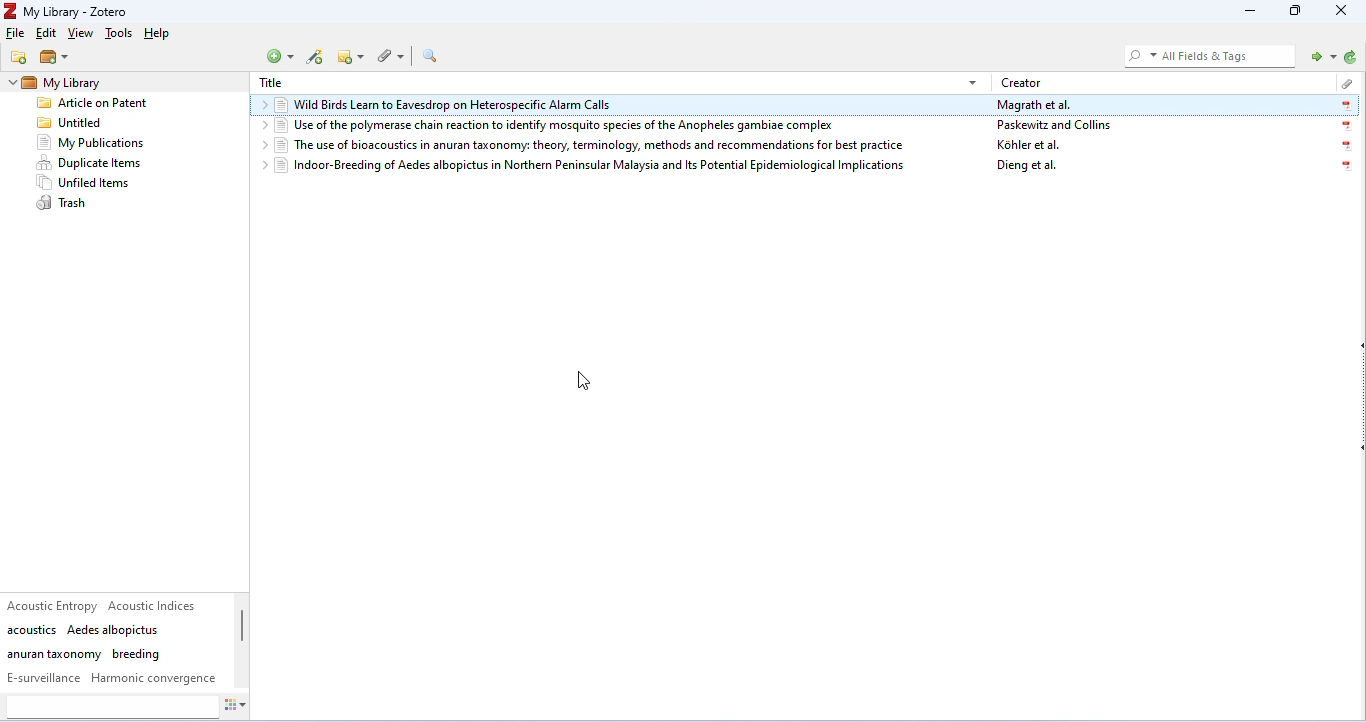 The height and width of the screenshot is (722, 1366). What do you see at coordinates (271, 83) in the screenshot?
I see `title` at bounding box center [271, 83].